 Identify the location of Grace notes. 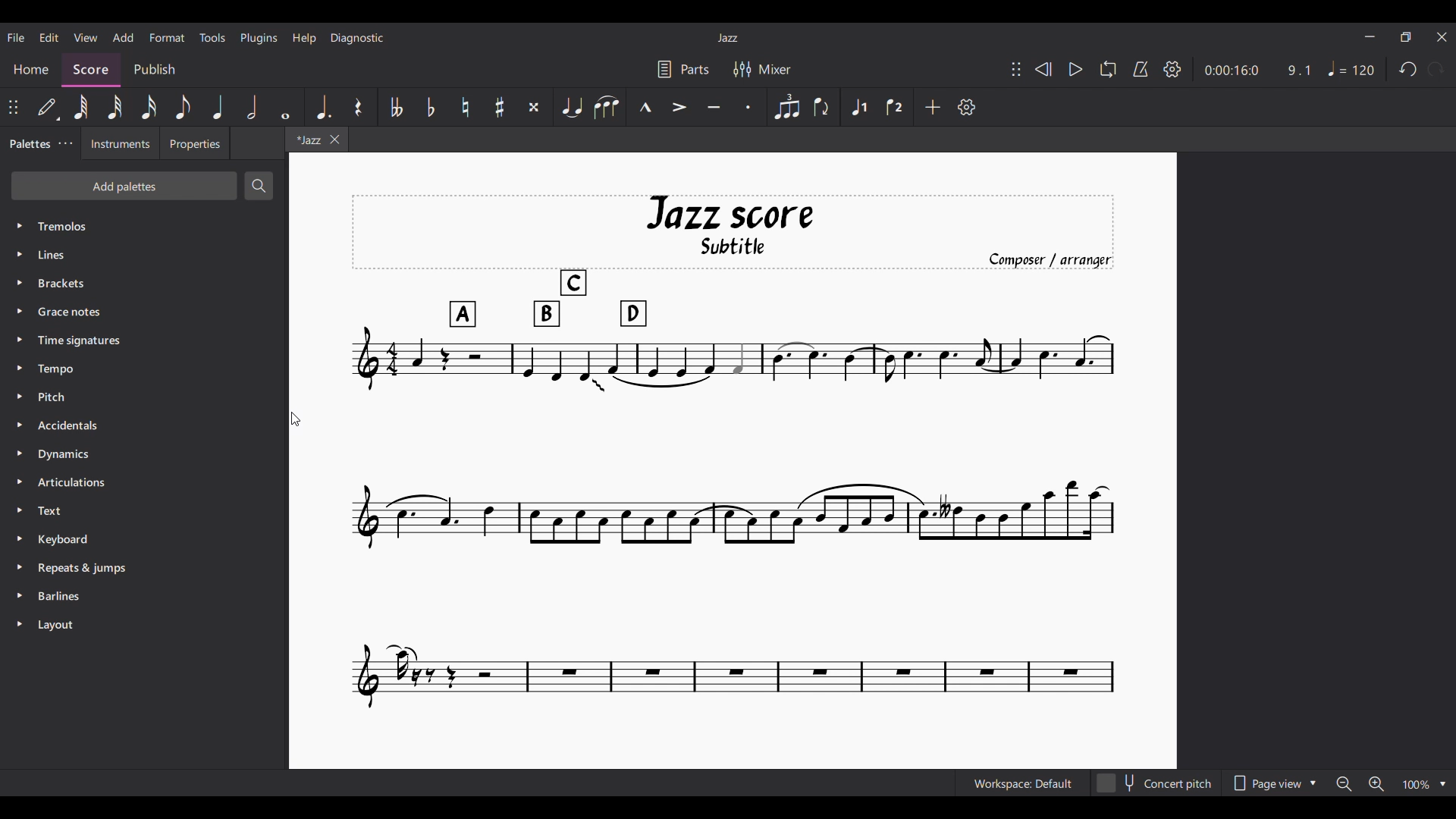
(144, 311).